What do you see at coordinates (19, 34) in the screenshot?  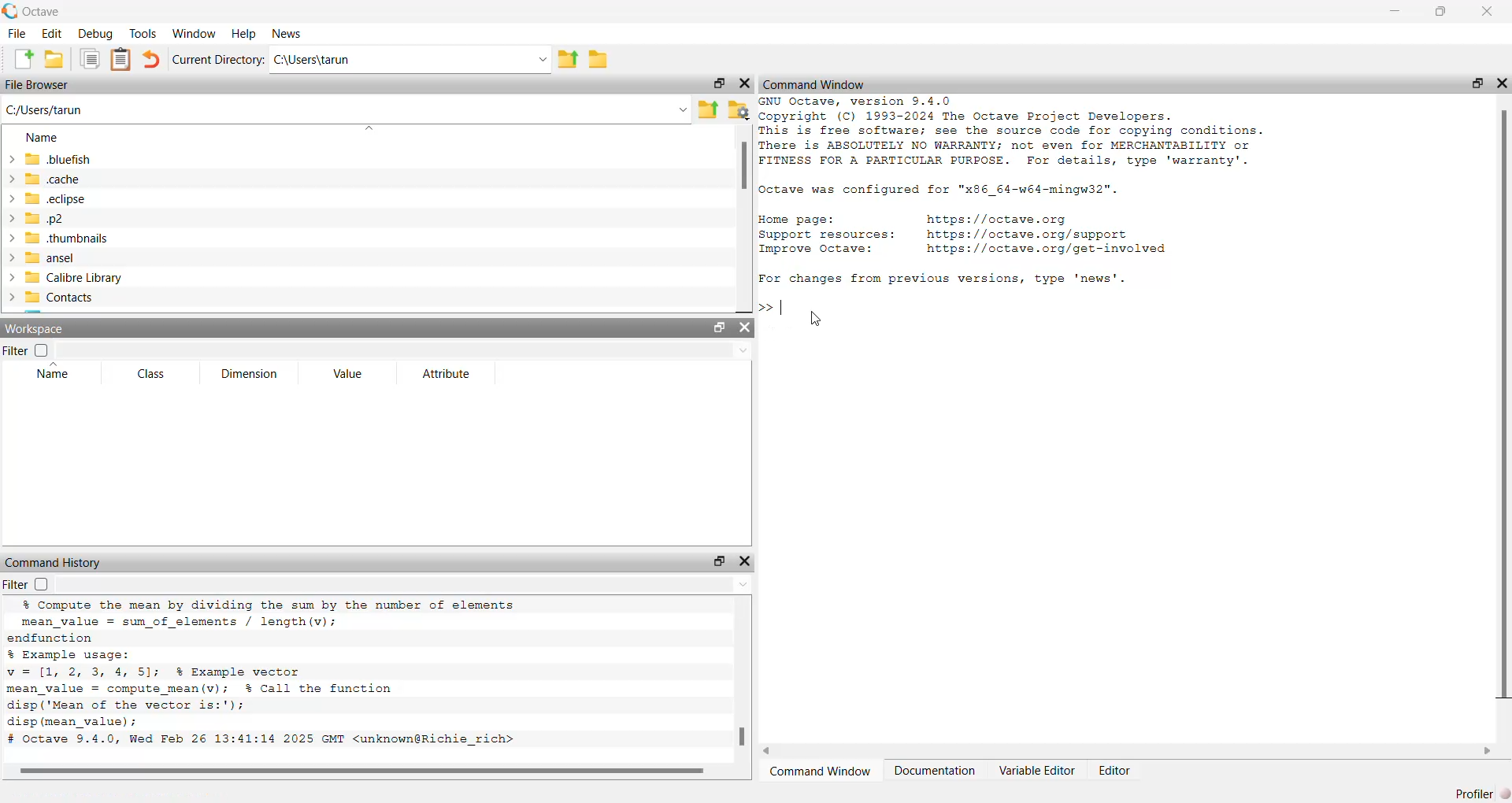 I see `file` at bounding box center [19, 34].